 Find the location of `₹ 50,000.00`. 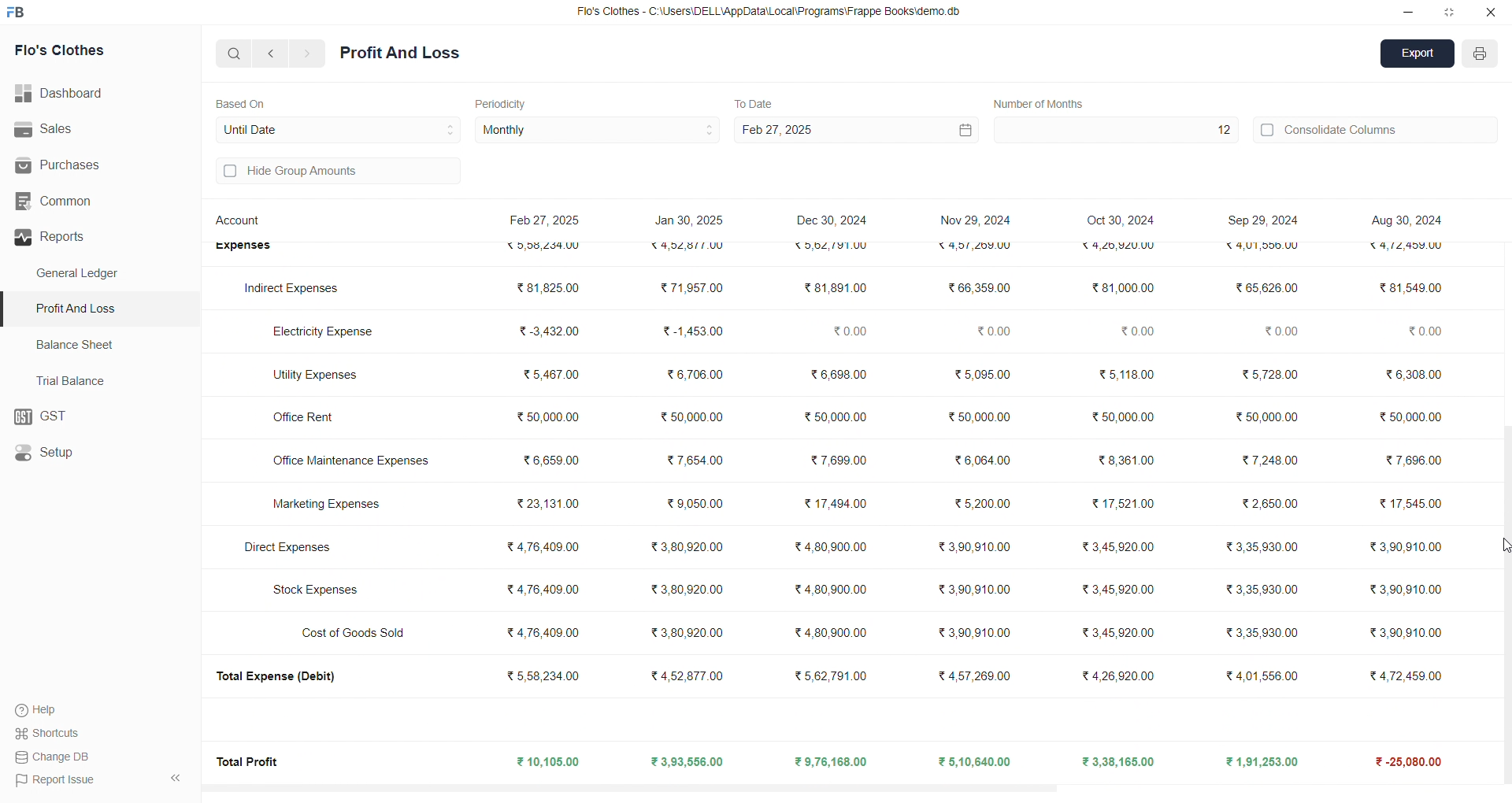

₹ 50,000.00 is located at coordinates (1266, 414).